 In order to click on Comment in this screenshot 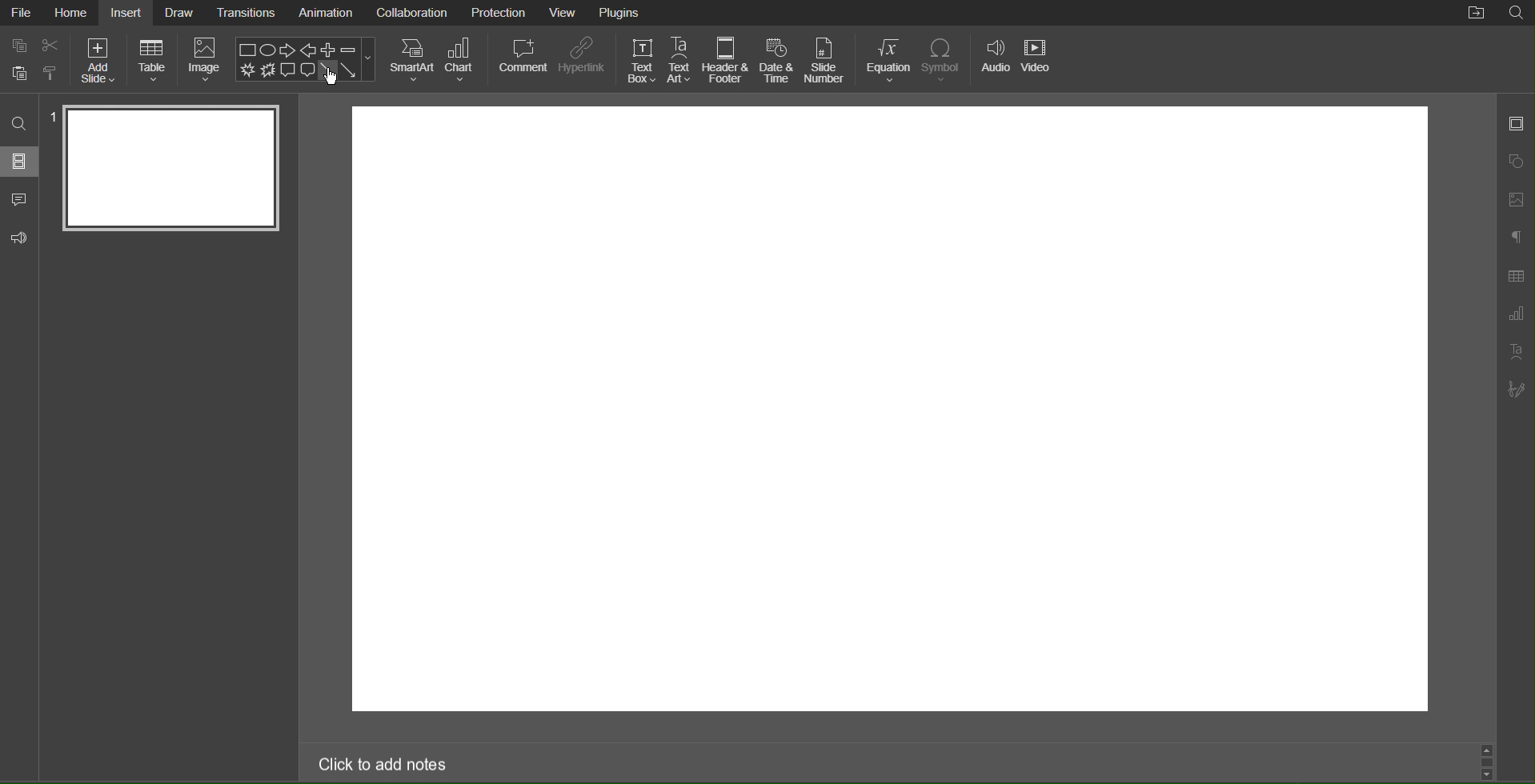, I will do `click(522, 60)`.